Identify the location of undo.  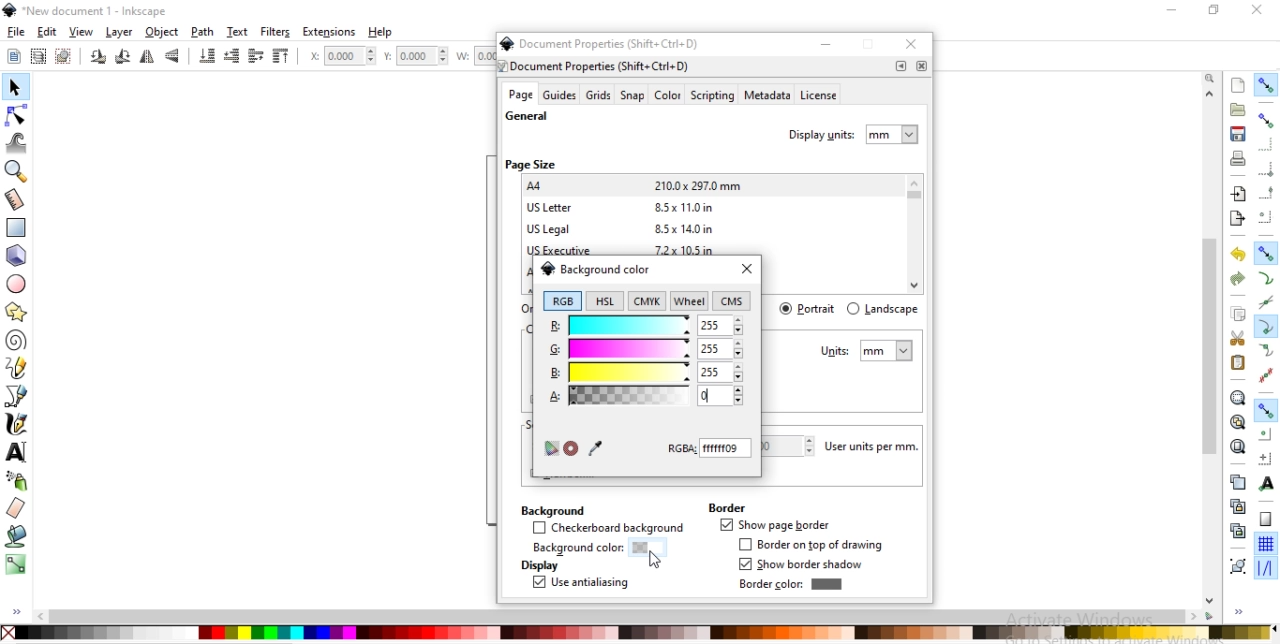
(1235, 255).